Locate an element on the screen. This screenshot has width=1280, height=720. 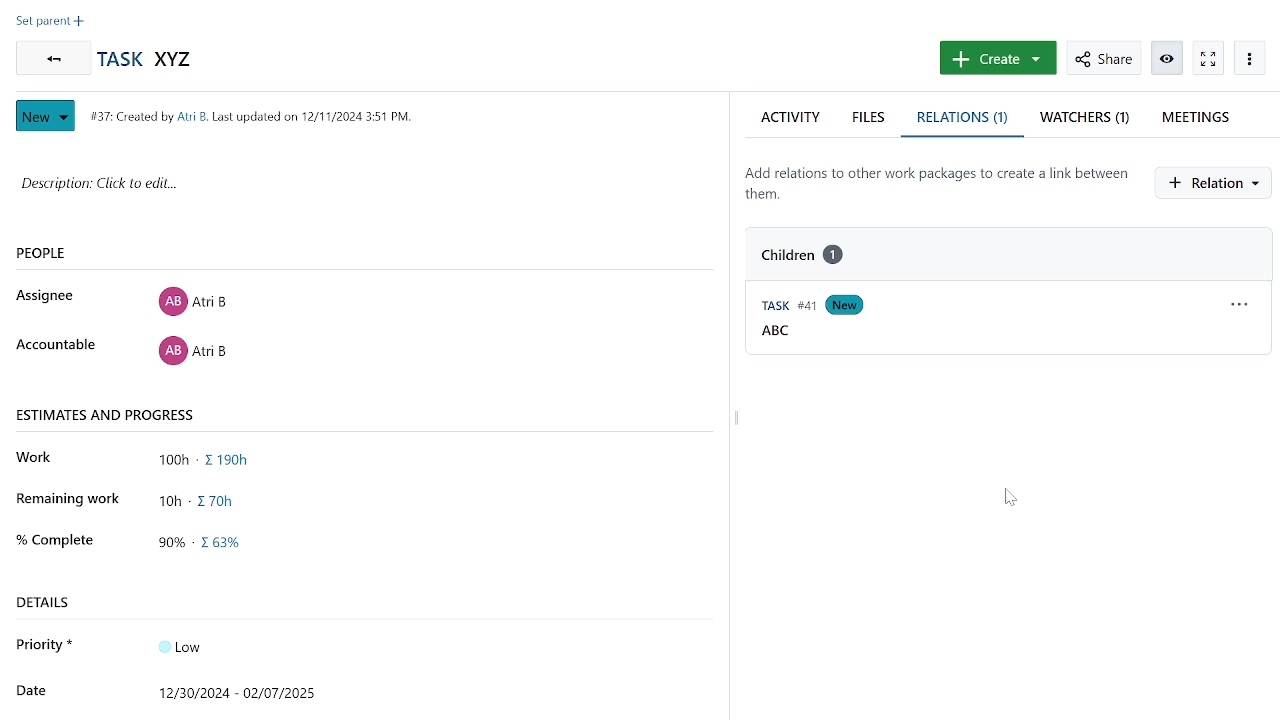
estimates and progress is located at coordinates (108, 414).